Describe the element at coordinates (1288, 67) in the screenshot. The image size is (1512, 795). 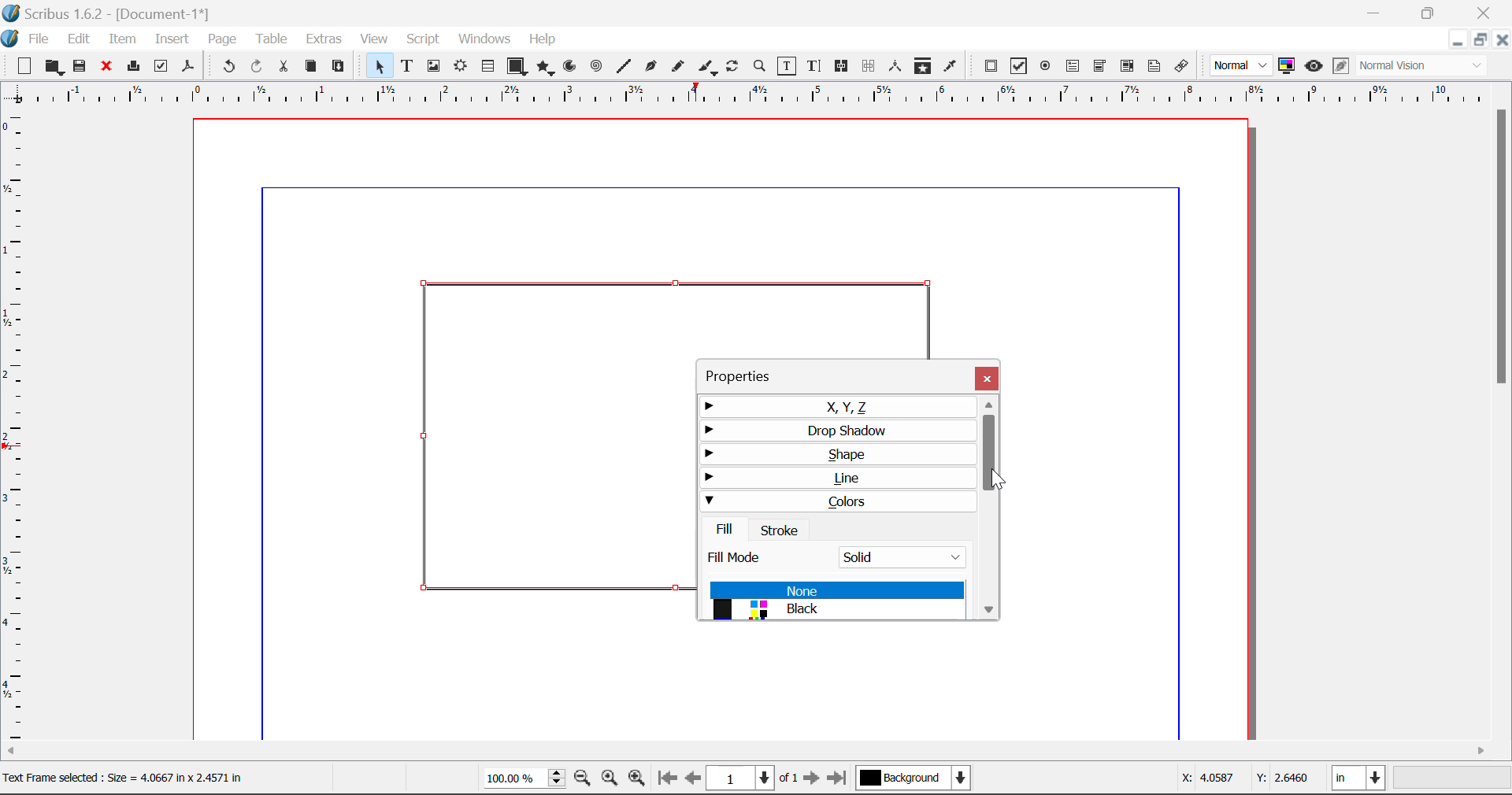
I see `Toggle Color Management` at that location.